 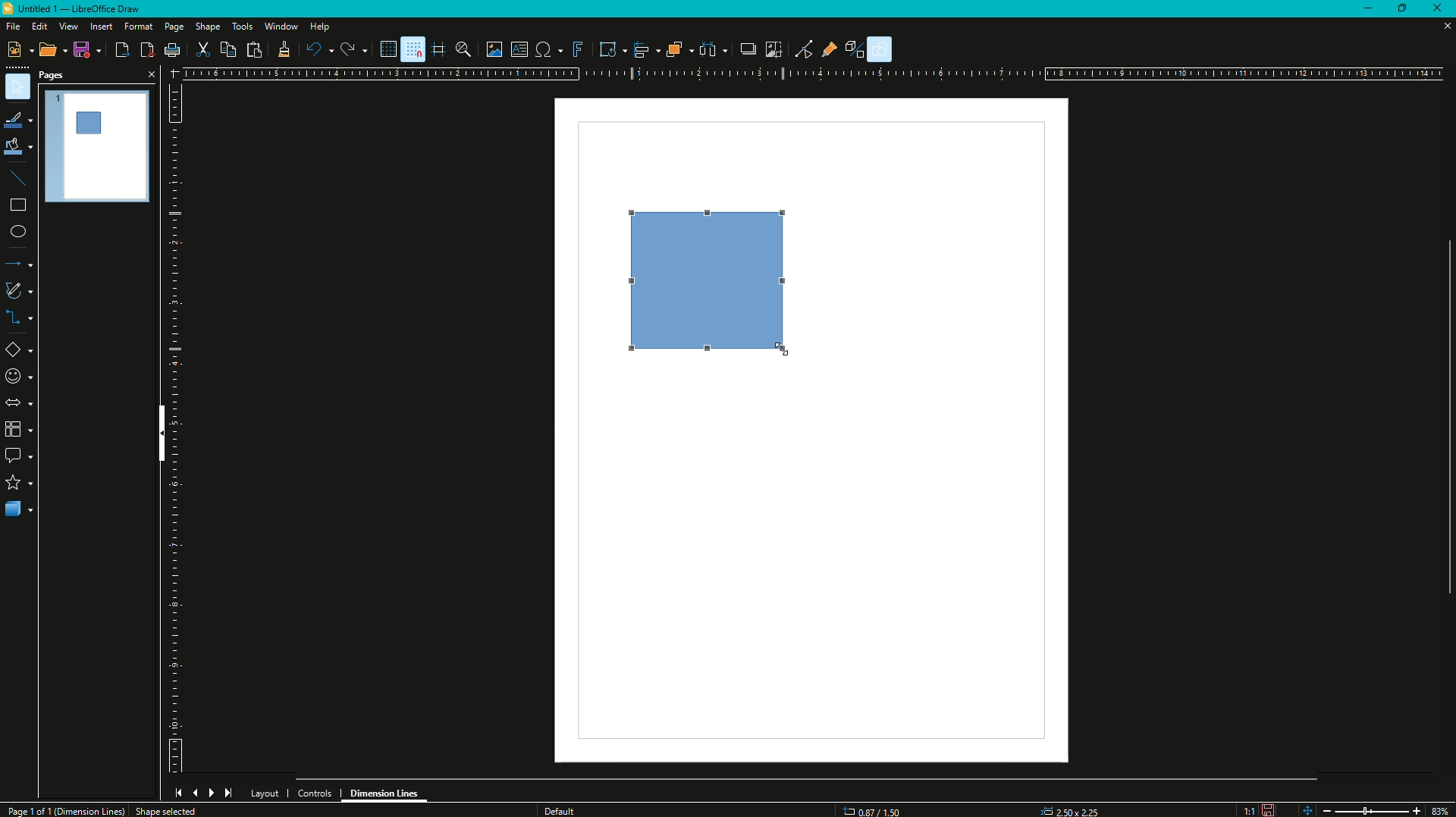 What do you see at coordinates (494, 49) in the screenshot?
I see `Insert Image` at bounding box center [494, 49].